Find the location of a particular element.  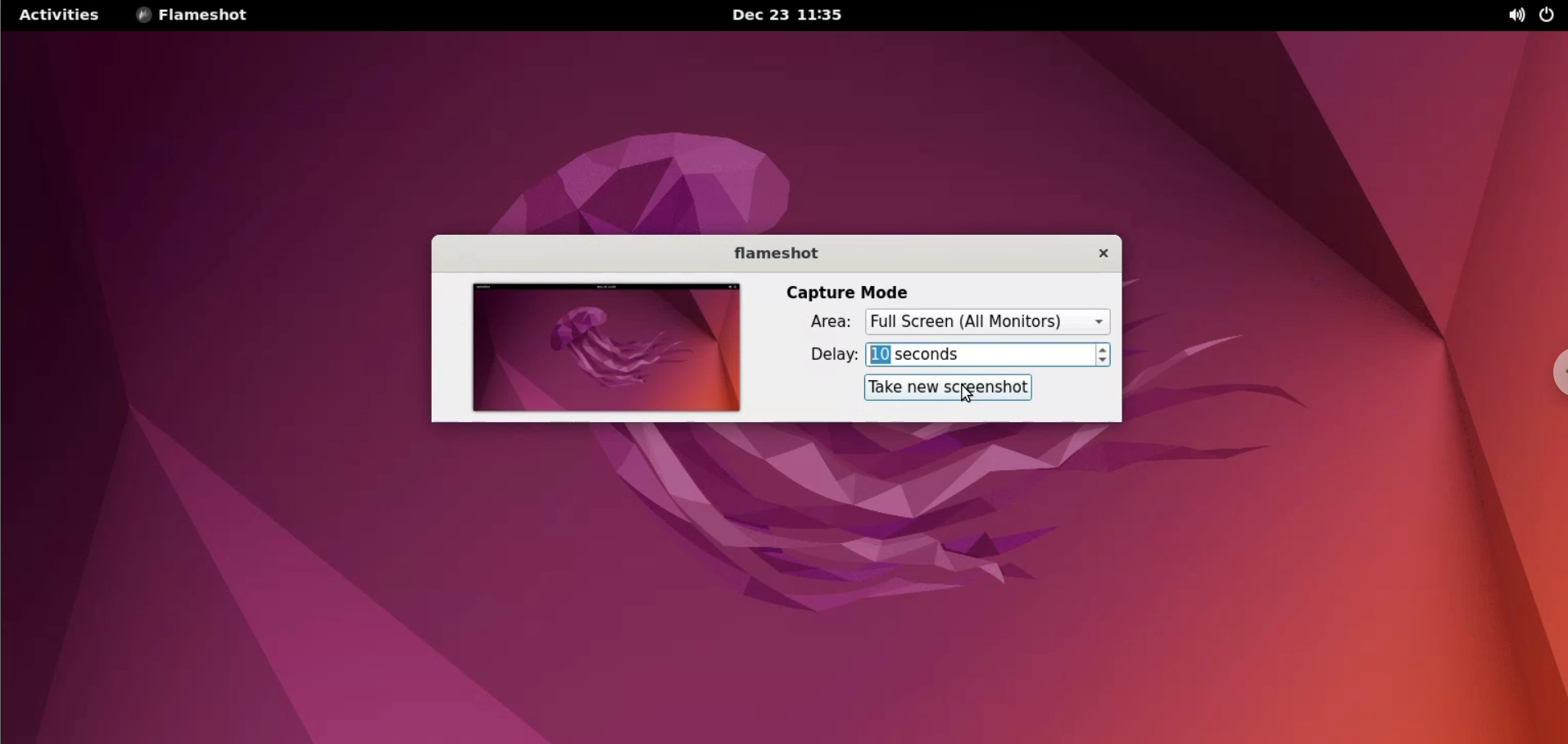

chrome options is located at coordinates (1553, 370).